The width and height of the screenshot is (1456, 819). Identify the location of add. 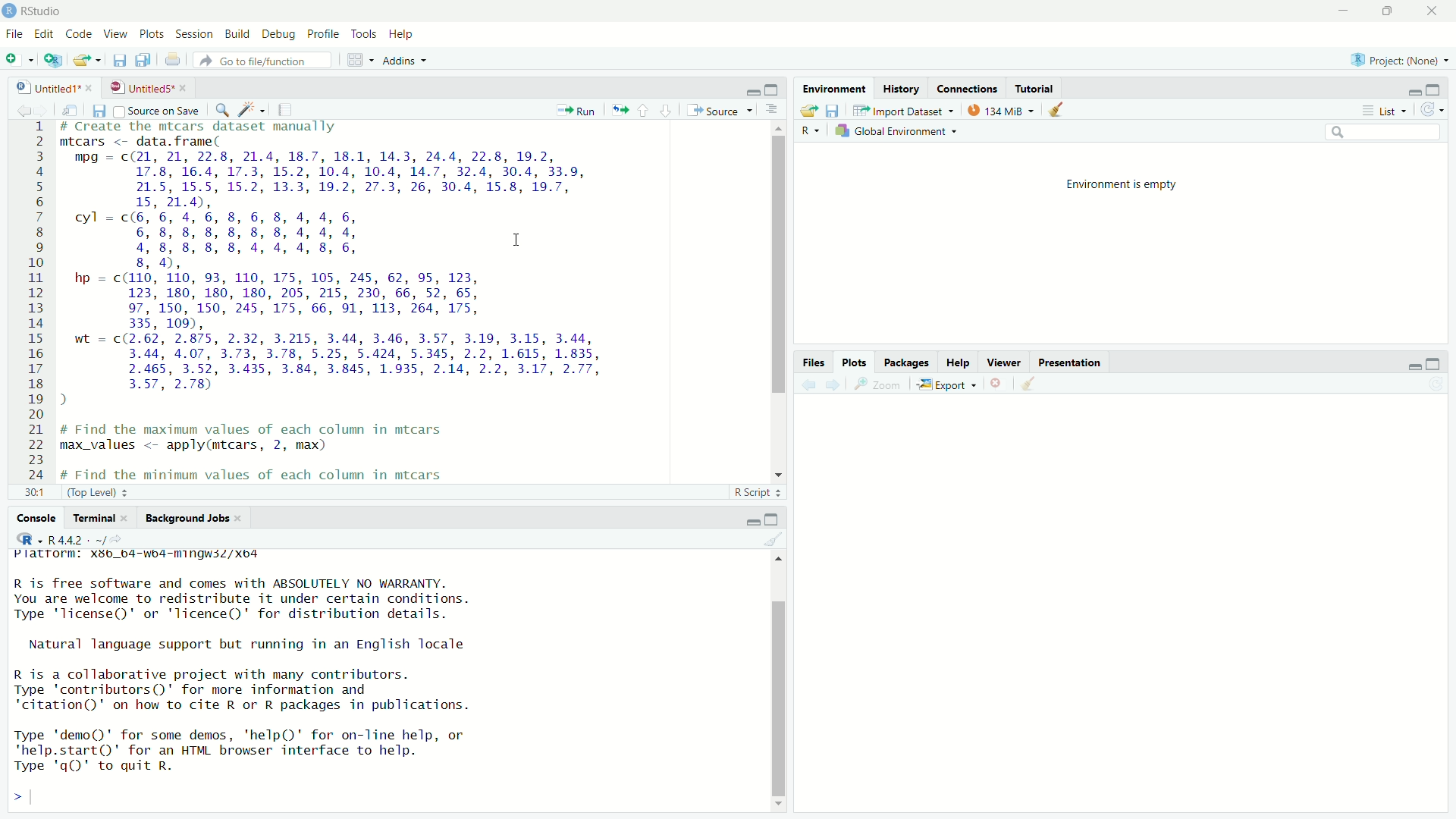
(18, 62).